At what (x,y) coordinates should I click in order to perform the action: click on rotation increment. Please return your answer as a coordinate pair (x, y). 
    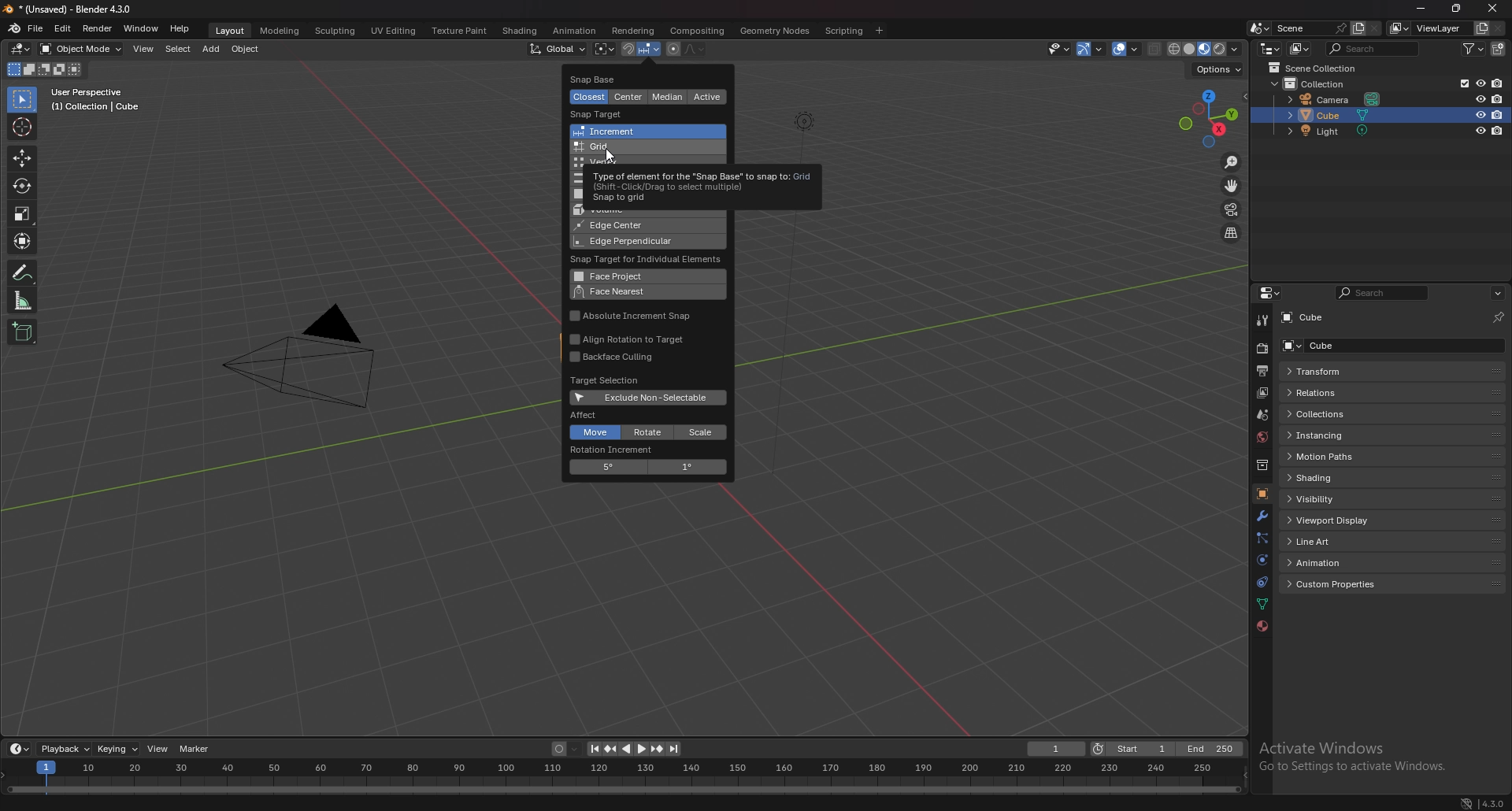
    Looking at the image, I should click on (614, 450).